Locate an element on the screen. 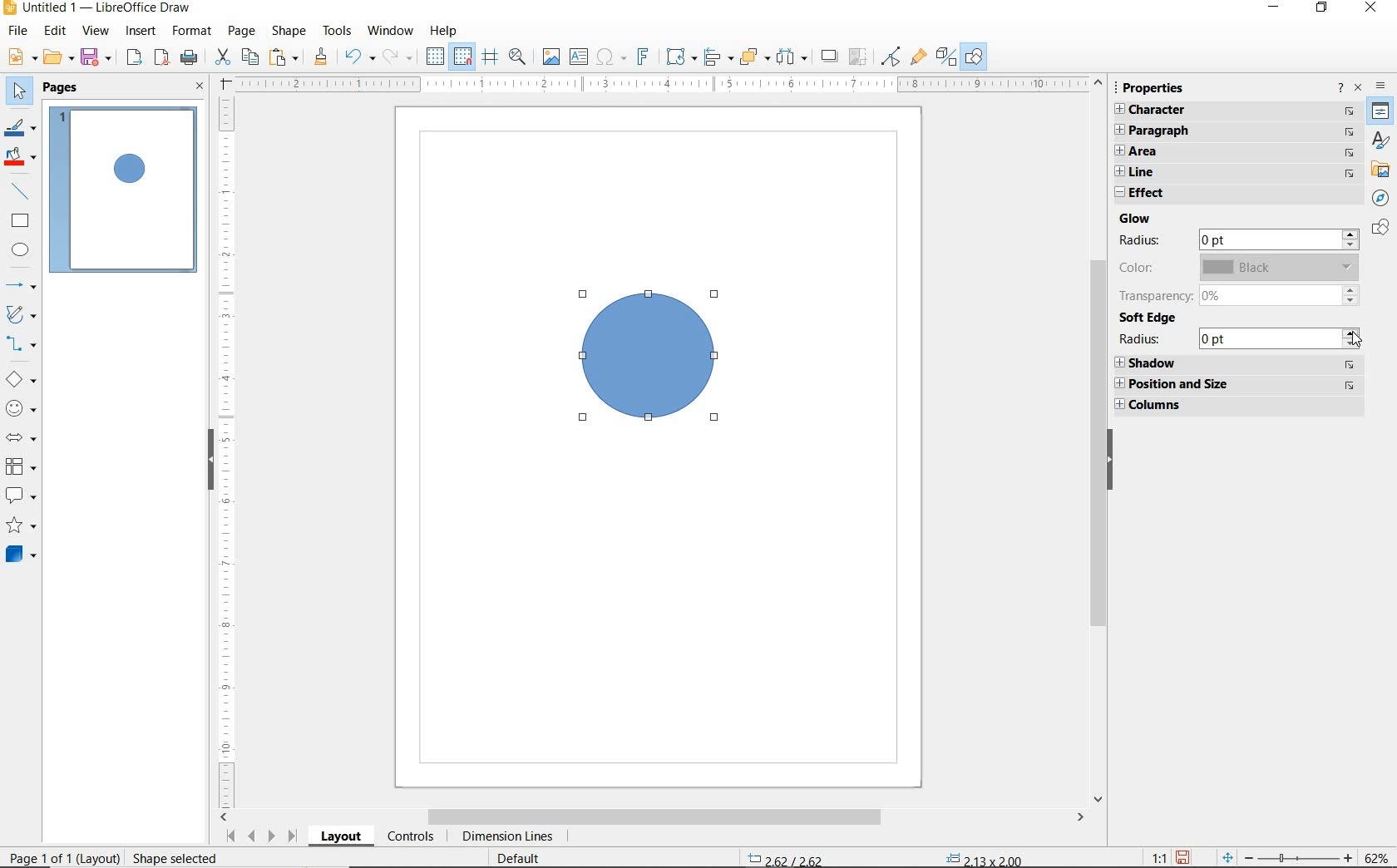 The image size is (1397, 868). SNAP TO GRID is located at coordinates (464, 57).